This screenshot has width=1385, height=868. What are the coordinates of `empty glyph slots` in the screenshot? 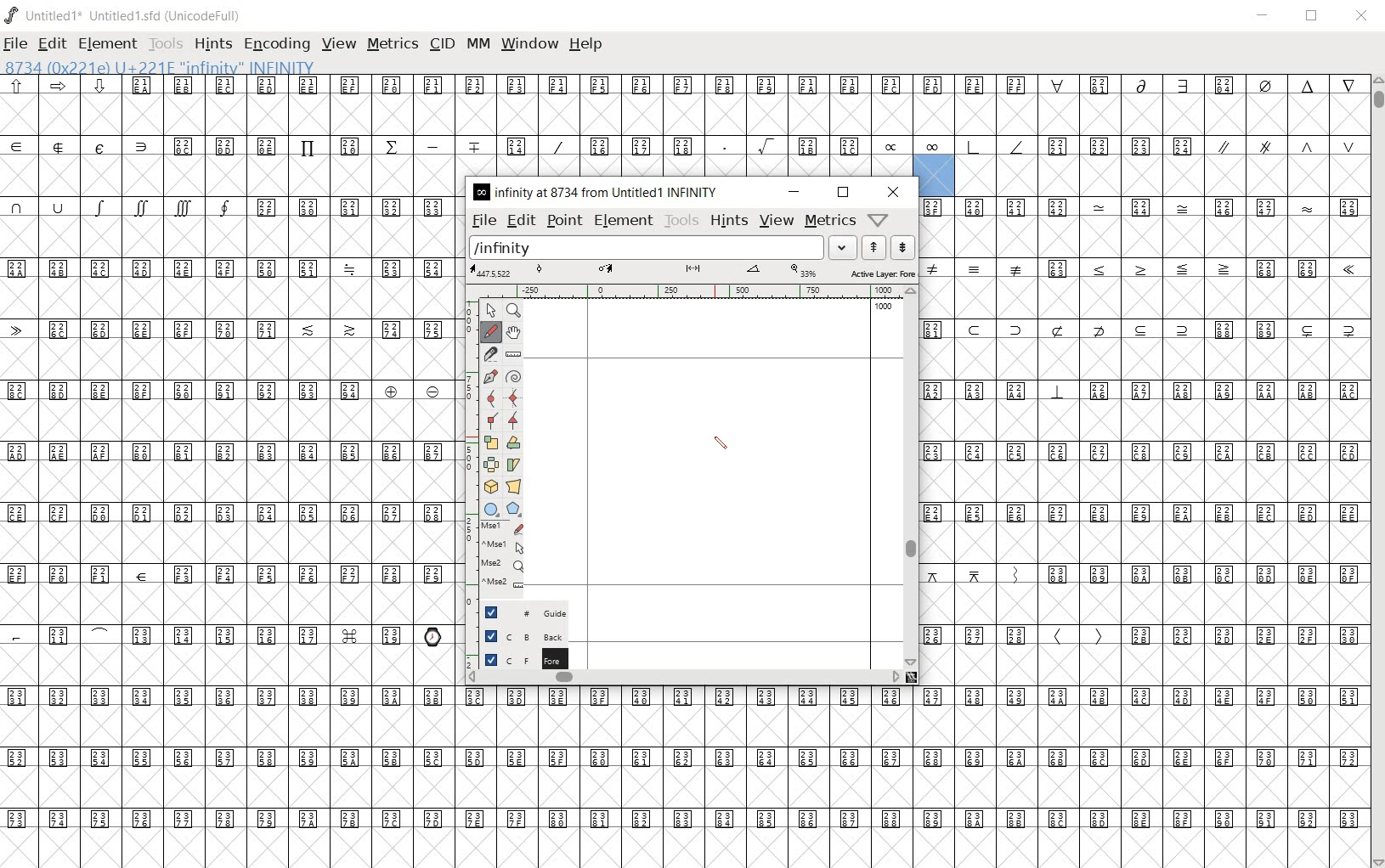 It's located at (1146, 420).